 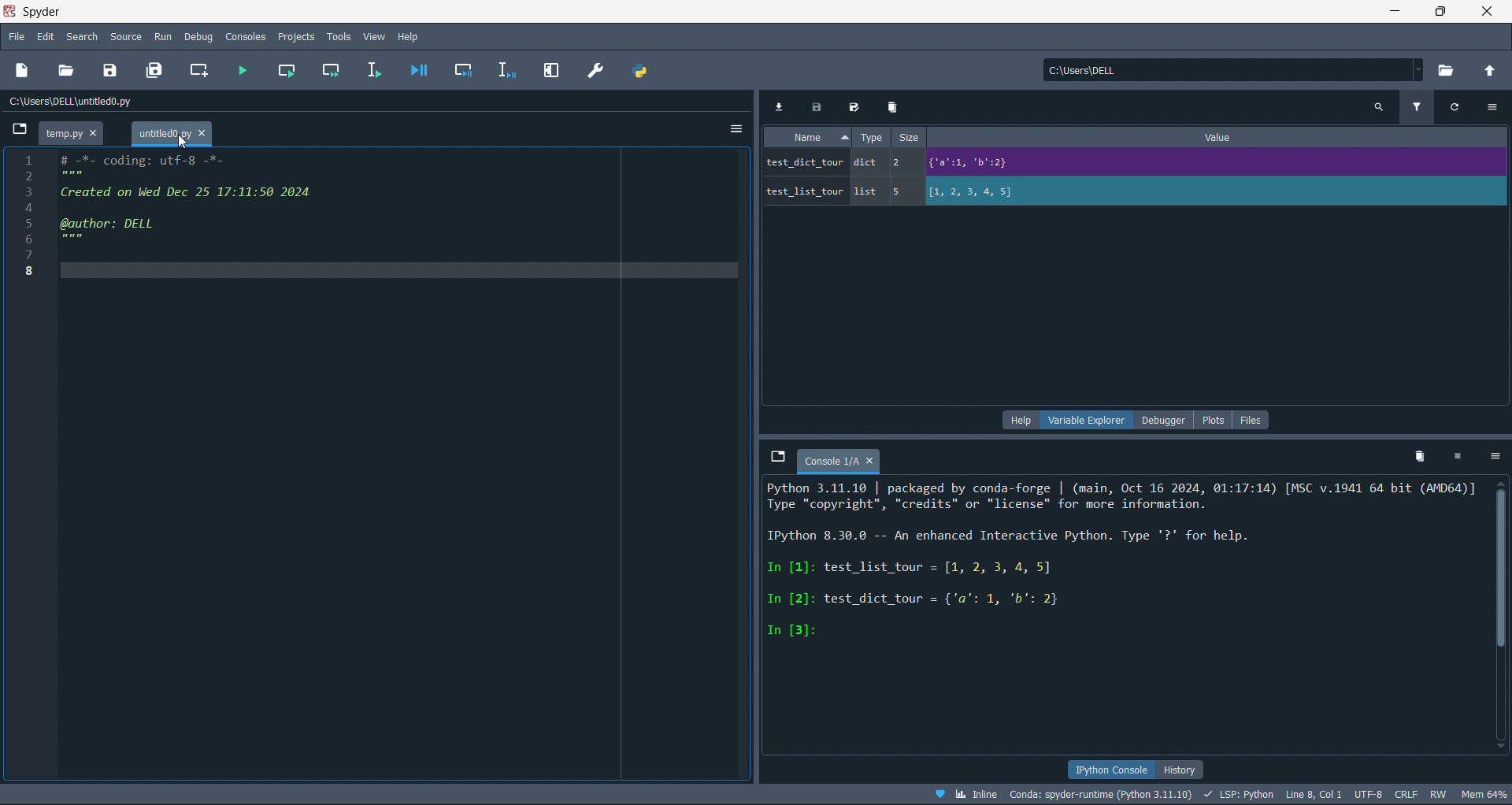 What do you see at coordinates (815, 104) in the screenshot?
I see `save data` at bounding box center [815, 104].